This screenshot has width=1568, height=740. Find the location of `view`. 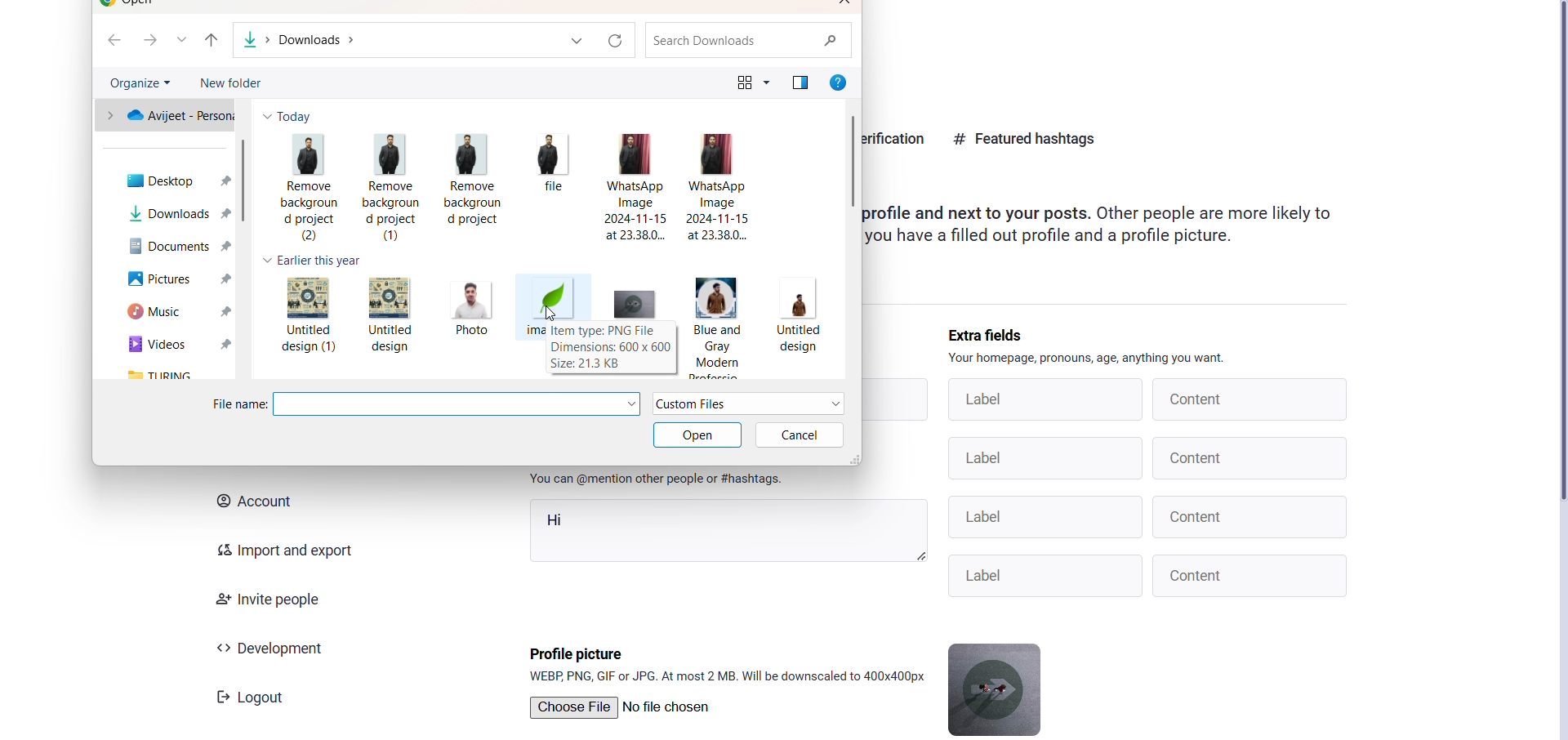

view is located at coordinates (746, 81).